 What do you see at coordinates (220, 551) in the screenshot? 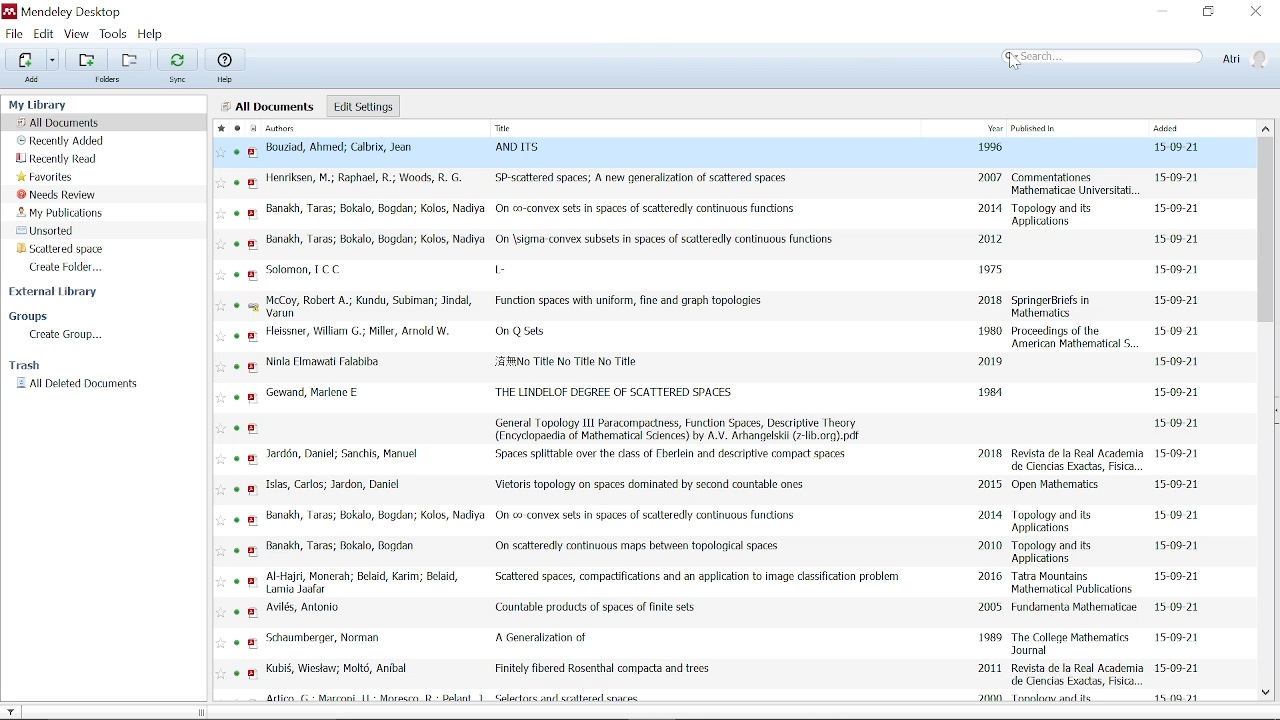
I see `Add to favorite` at bounding box center [220, 551].